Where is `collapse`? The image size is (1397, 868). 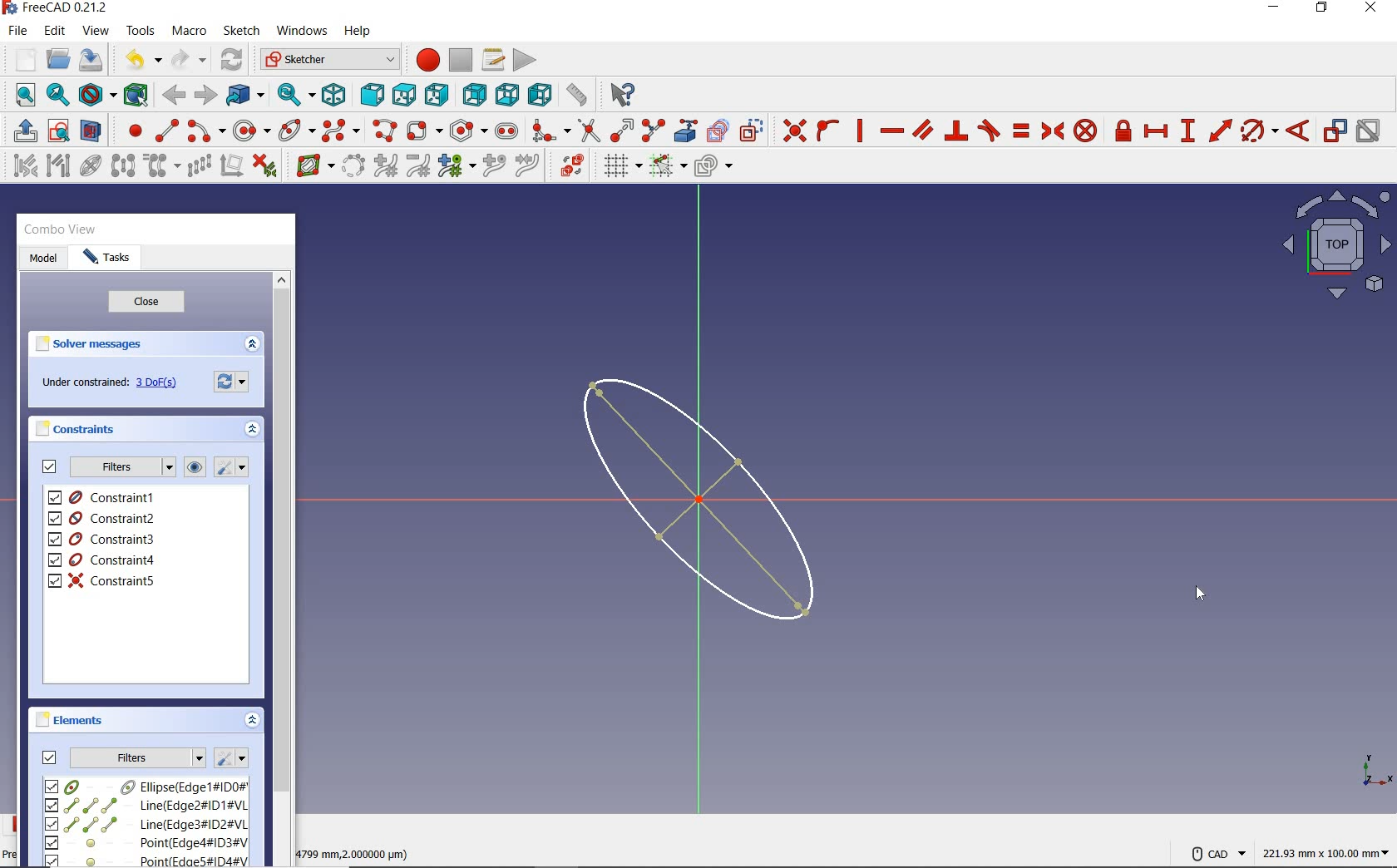 collapse is located at coordinates (254, 432).